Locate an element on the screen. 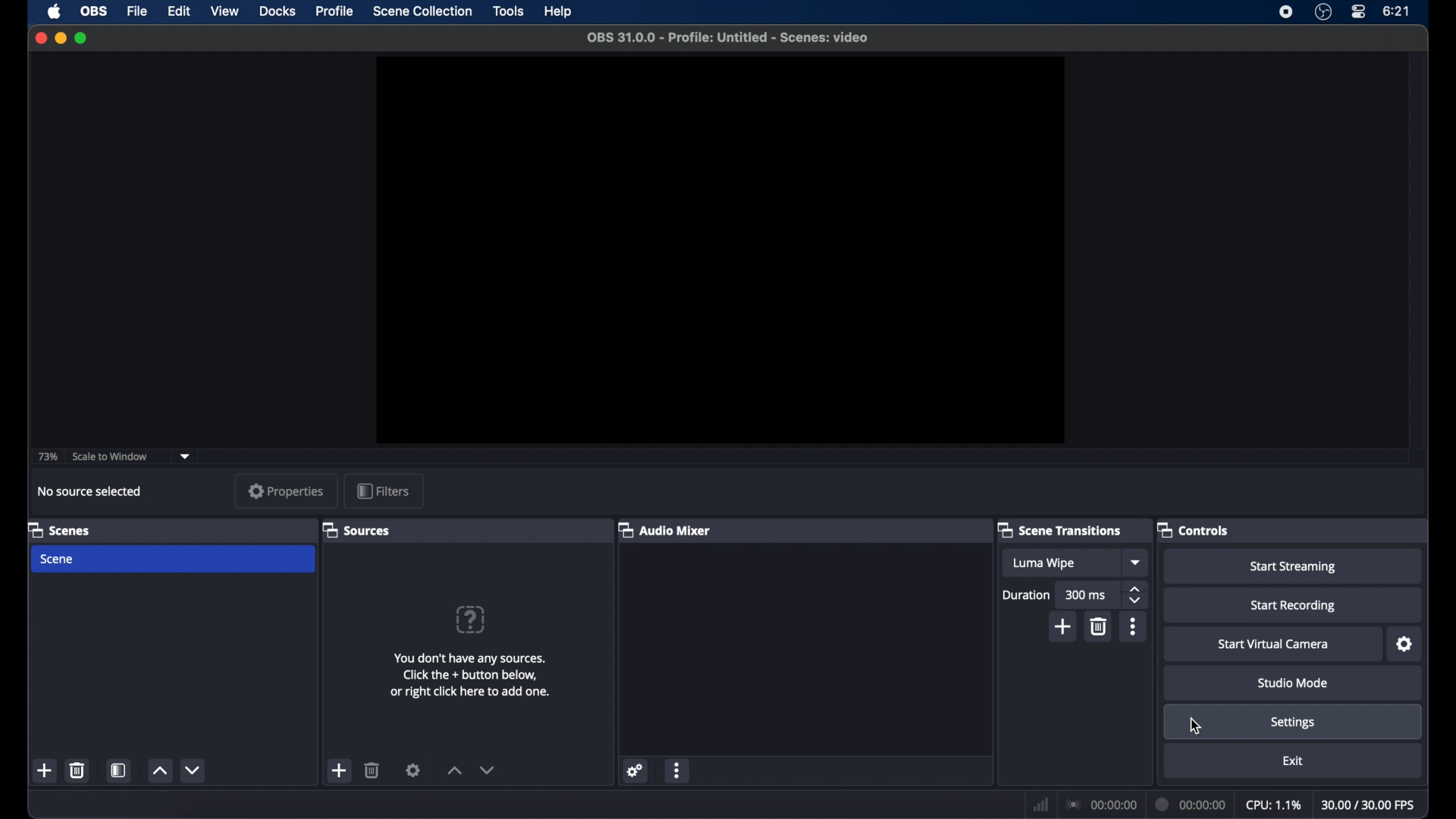 Image resolution: width=1456 pixels, height=819 pixels. oBS 31.0.0 - Profile: Untitled - Scenes: video is located at coordinates (738, 39).